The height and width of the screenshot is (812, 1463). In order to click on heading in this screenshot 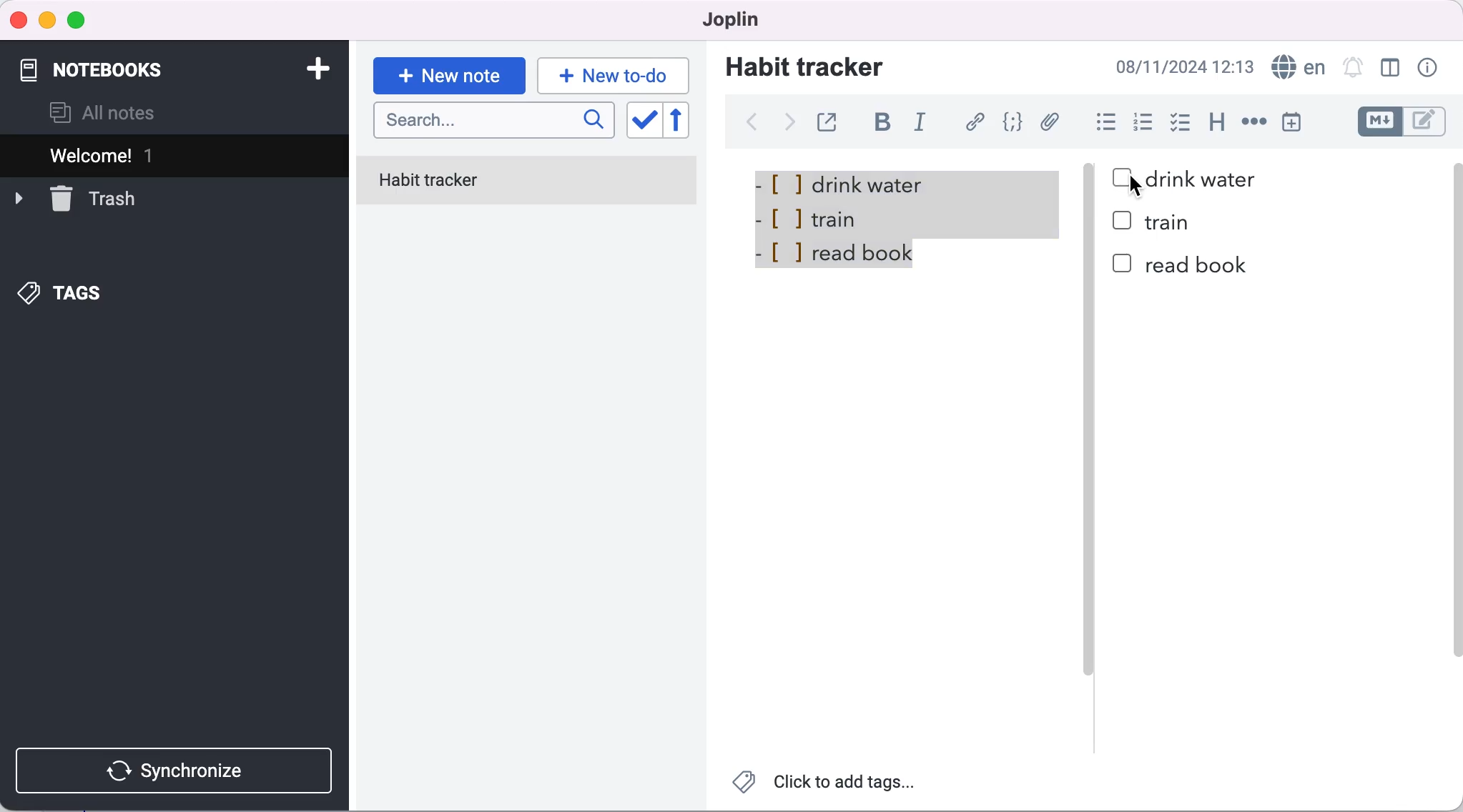, I will do `click(1218, 123)`.